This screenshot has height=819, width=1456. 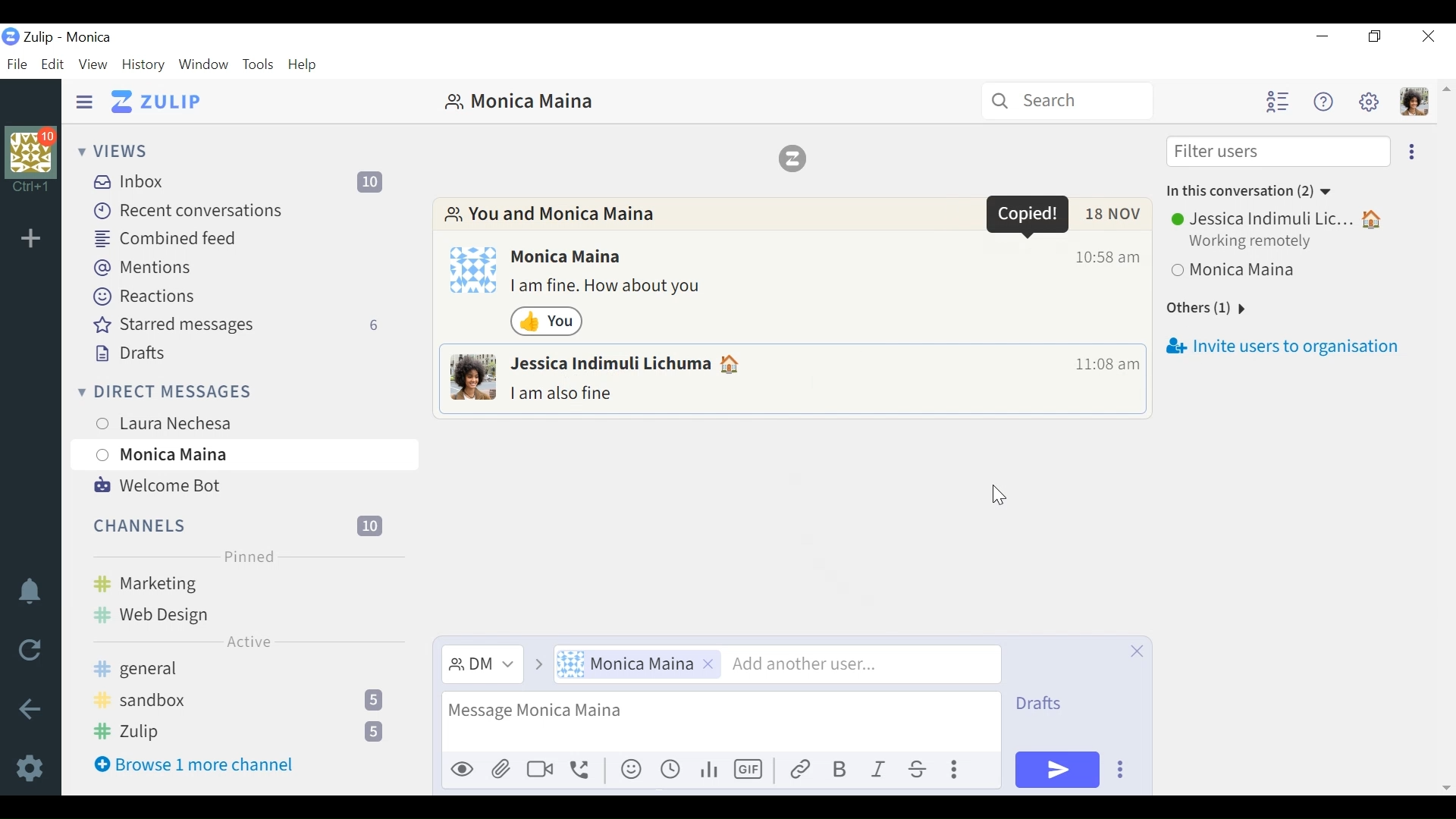 I want to click on Zulip - Monica, so click(x=67, y=37).